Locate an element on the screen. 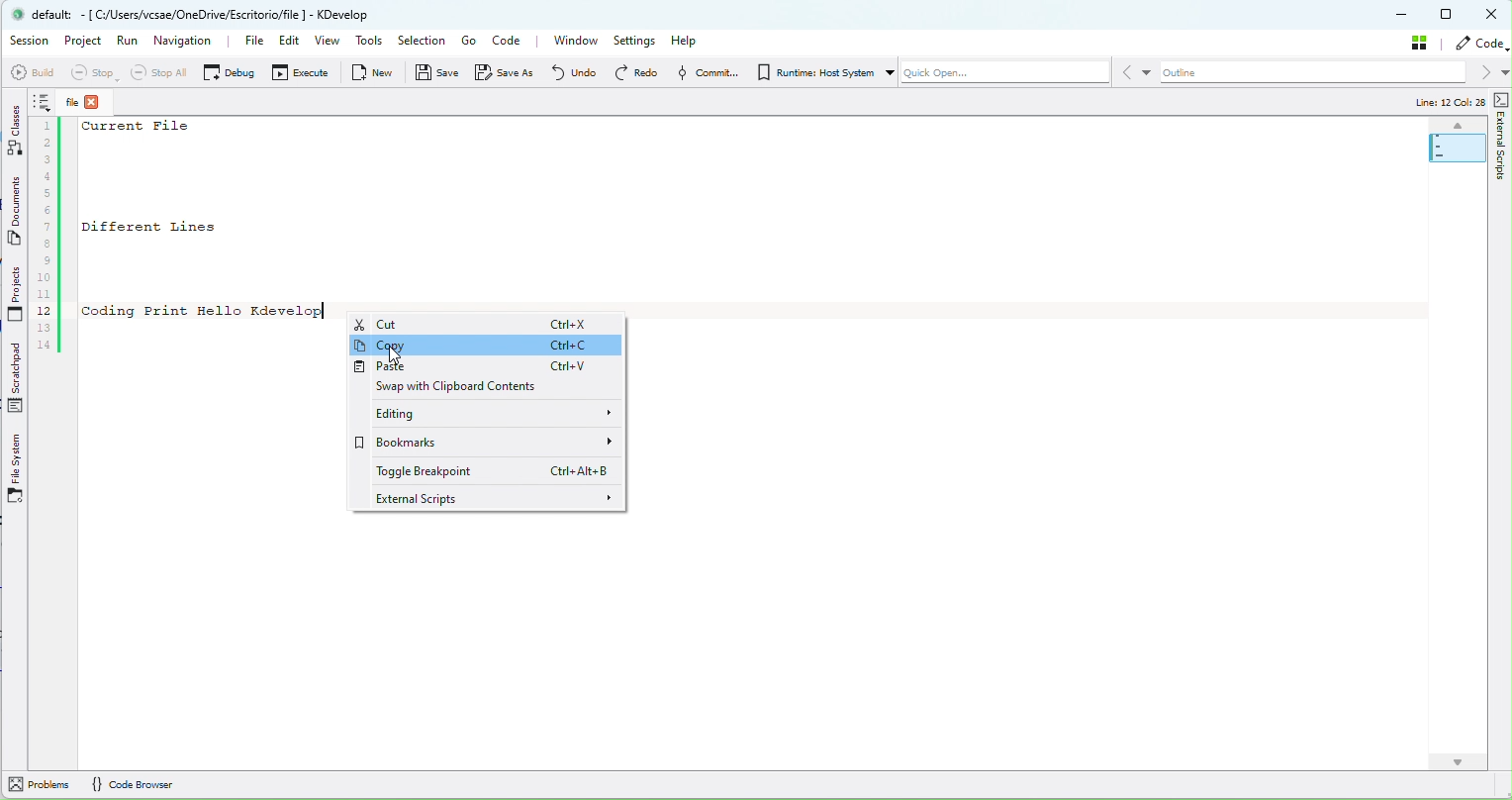 The image size is (1512, 800). Window is located at coordinates (575, 41).